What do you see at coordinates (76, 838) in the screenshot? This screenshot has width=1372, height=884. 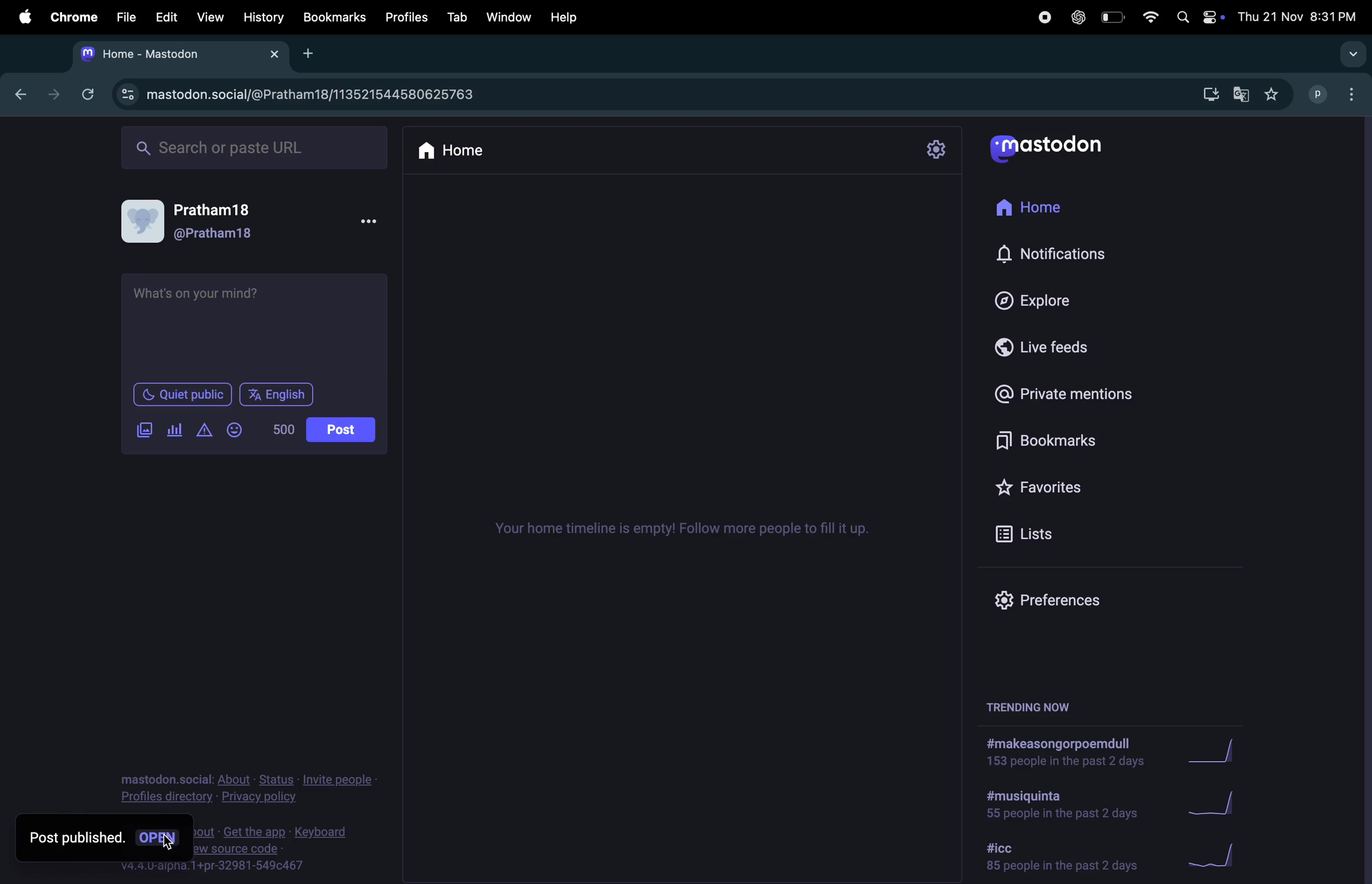 I see `post published` at bounding box center [76, 838].